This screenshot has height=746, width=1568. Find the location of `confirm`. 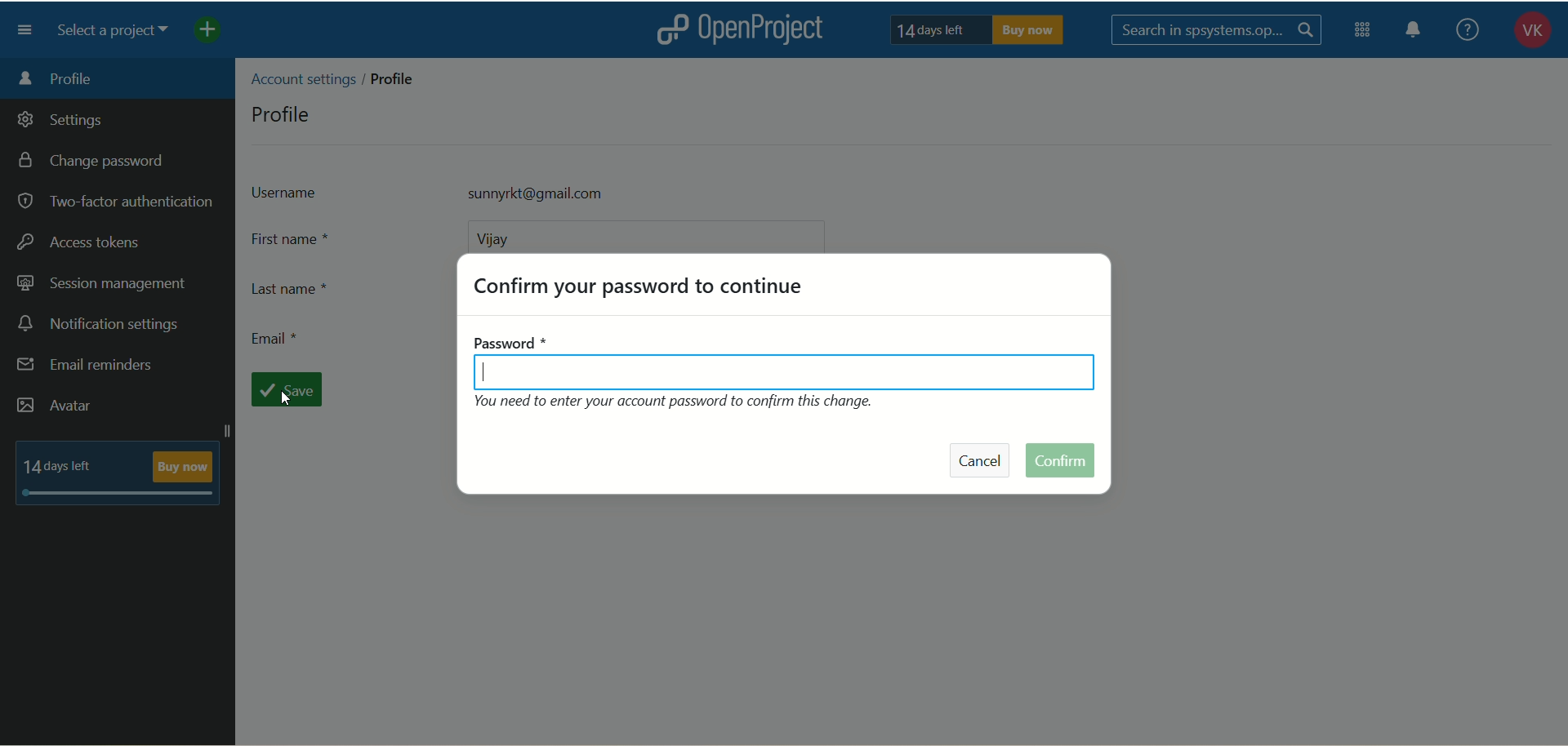

confirm is located at coordinates (1062, 460).